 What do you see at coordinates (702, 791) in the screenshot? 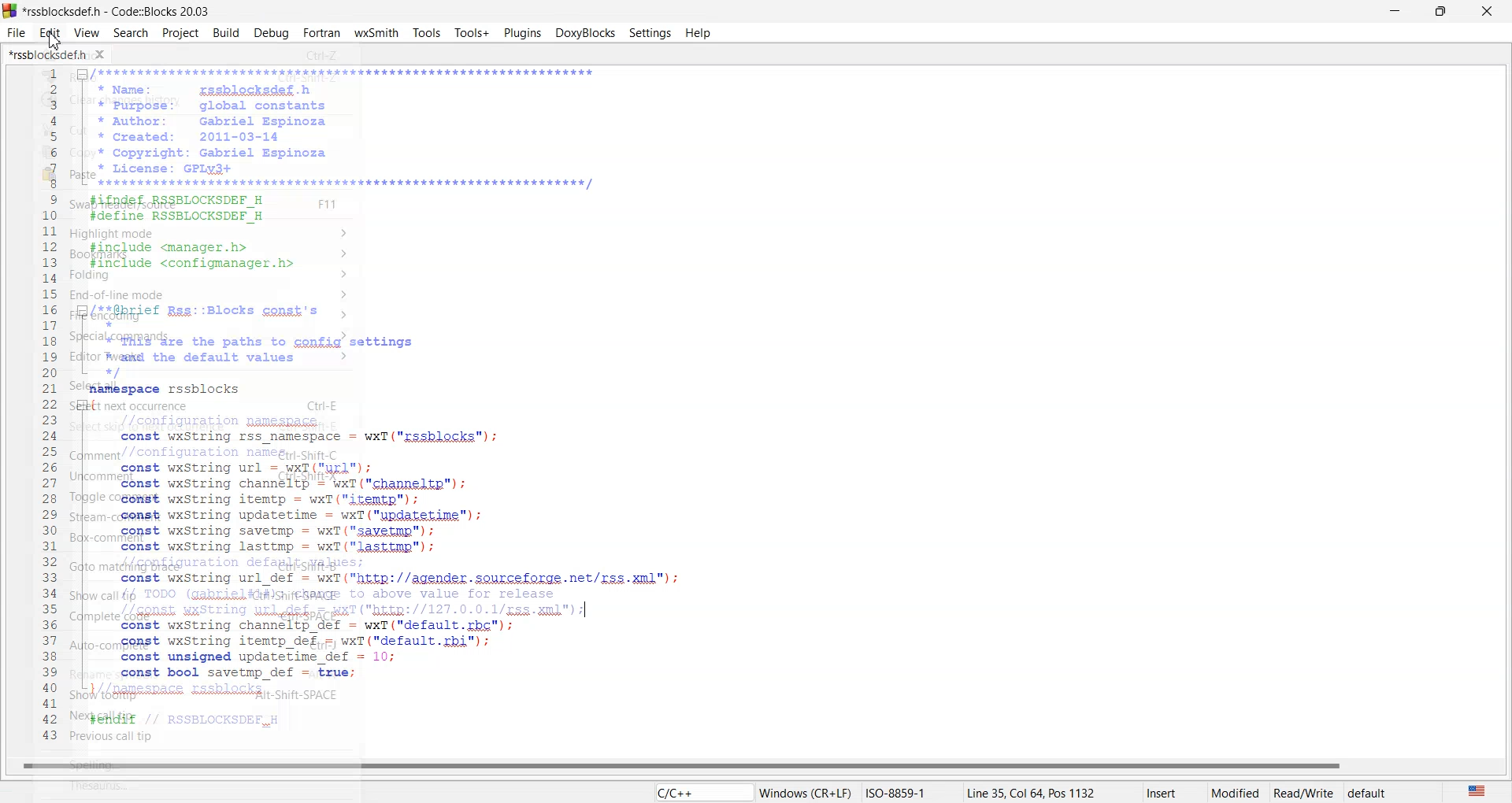
I see `Code language indicator` at bounding box center [702, 791].